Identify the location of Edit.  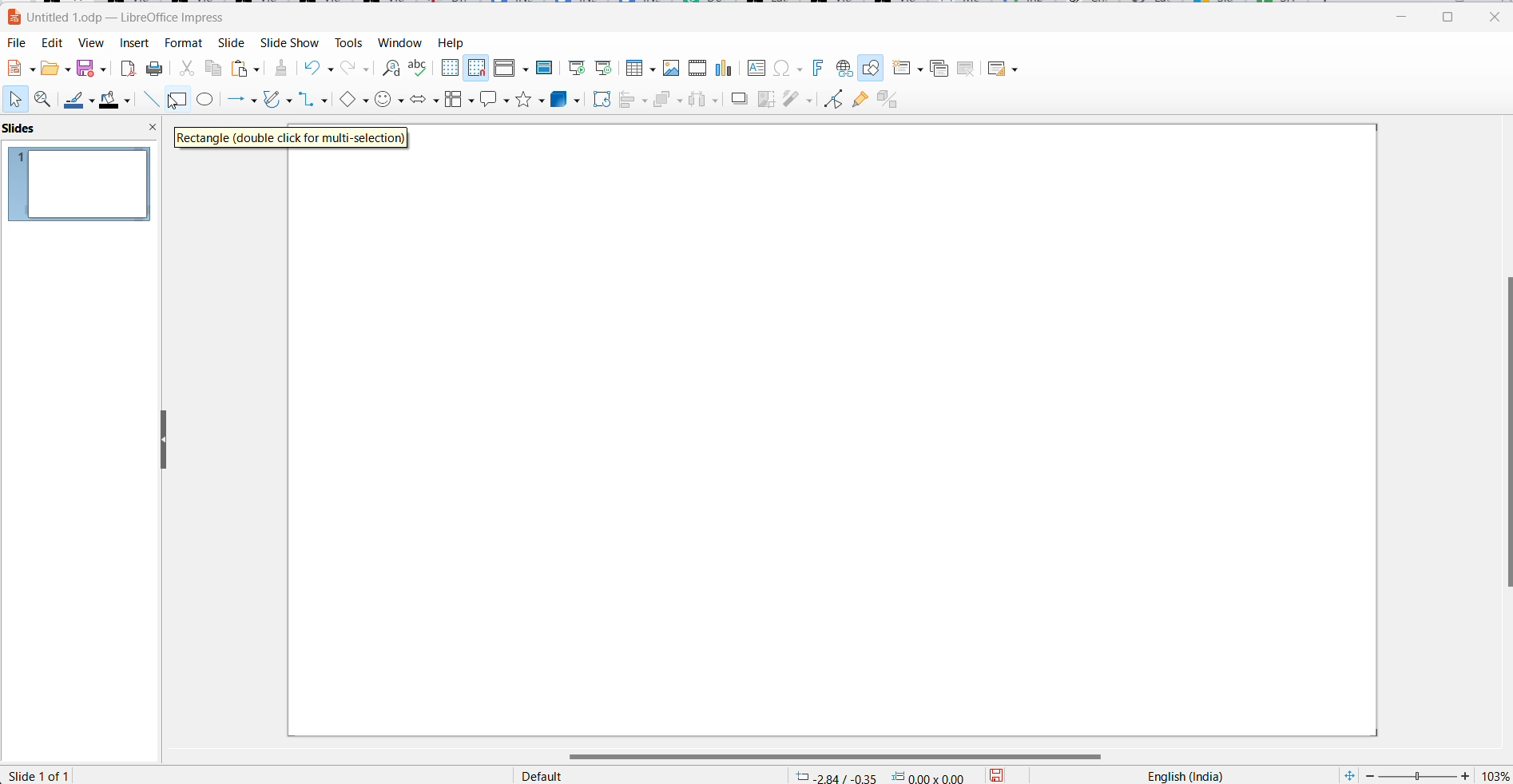
(54, 42).